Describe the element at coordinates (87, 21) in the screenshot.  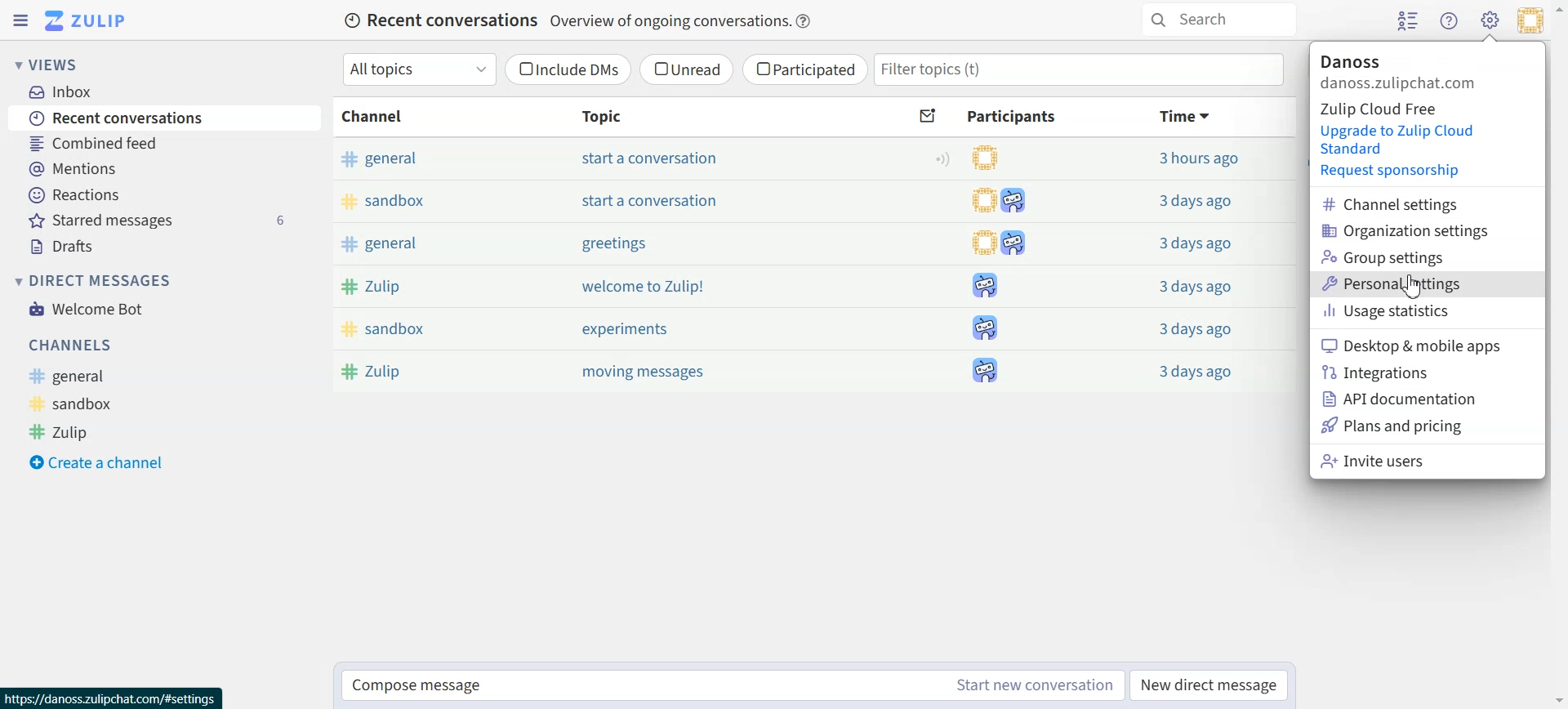
I see `Go to Home View` at that location.